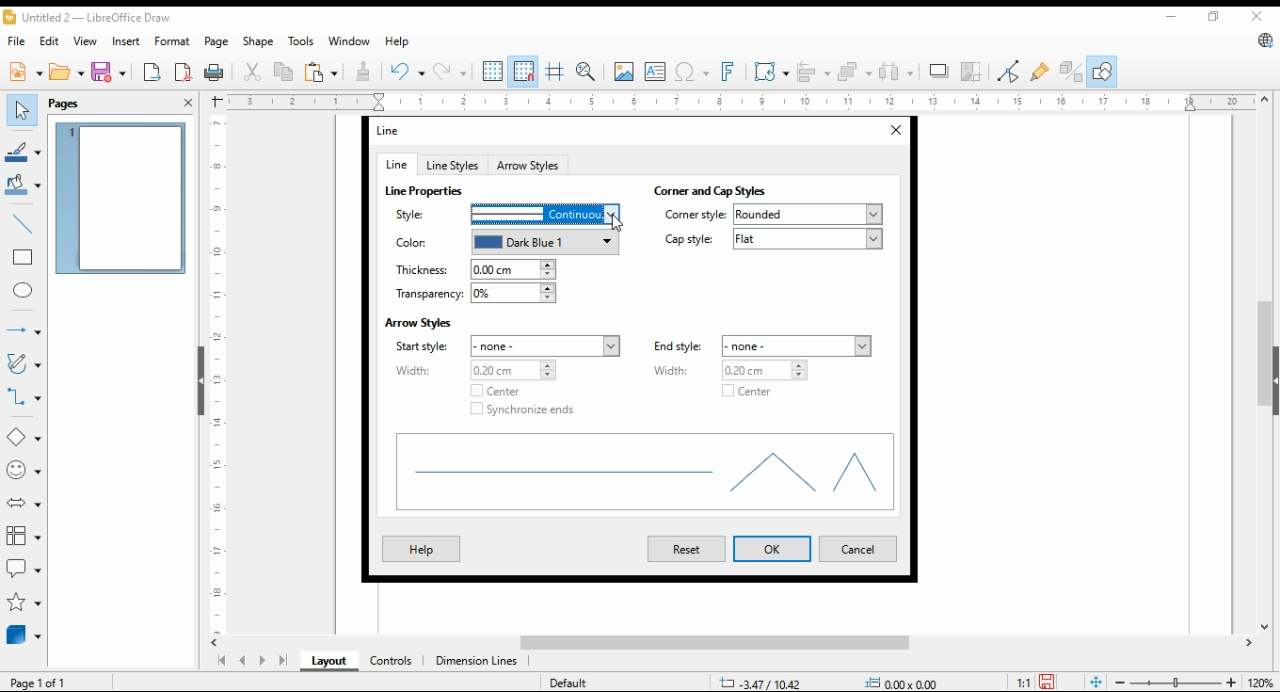 The height and width of the screenshot is (692, 1280). I want to click on window, so click(348, 41).